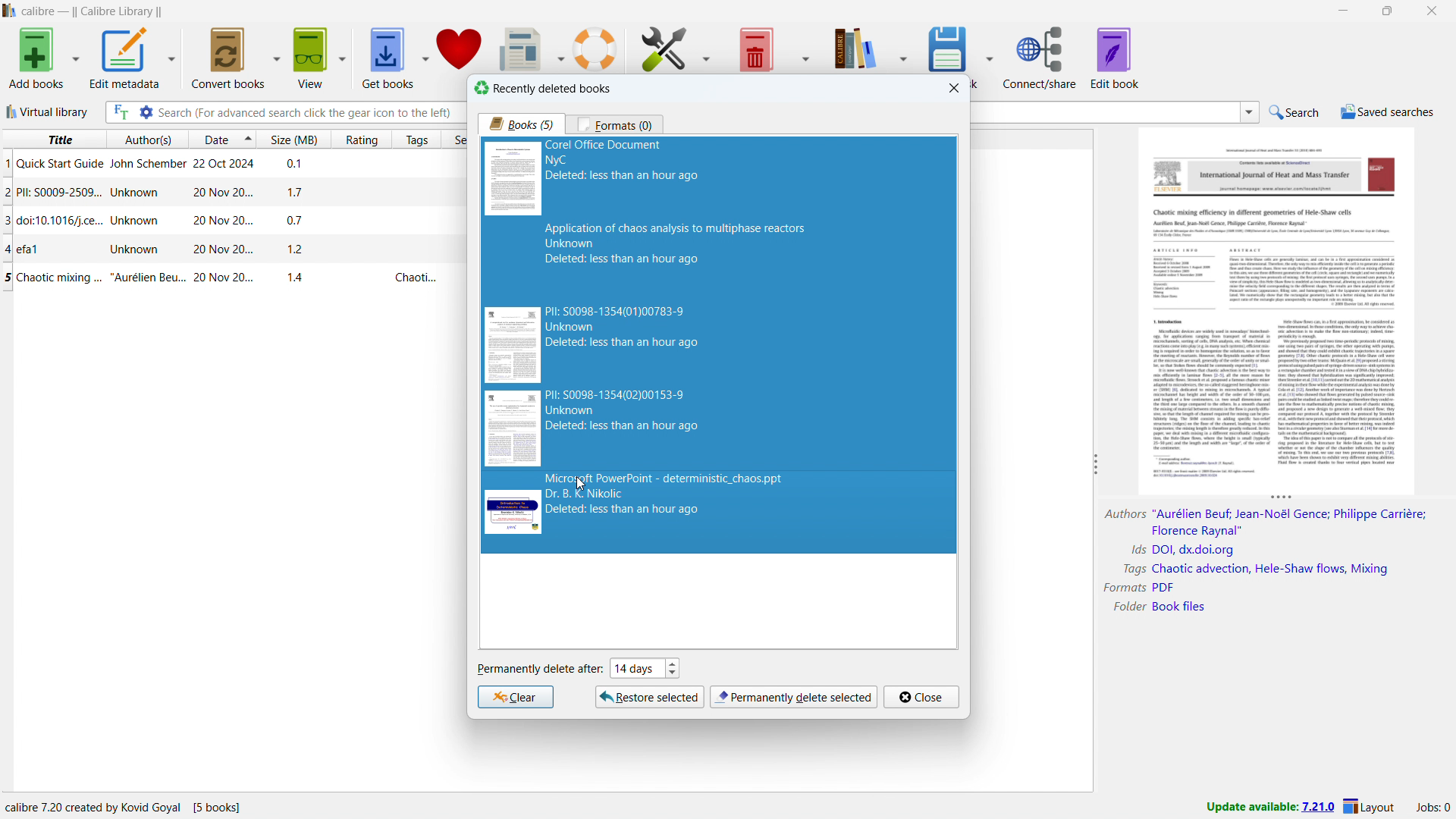 This screenshot has width=1456, height=819. Describe the element at coordinates (804, 45) in the screenshot. I see `remove books options` at that location.